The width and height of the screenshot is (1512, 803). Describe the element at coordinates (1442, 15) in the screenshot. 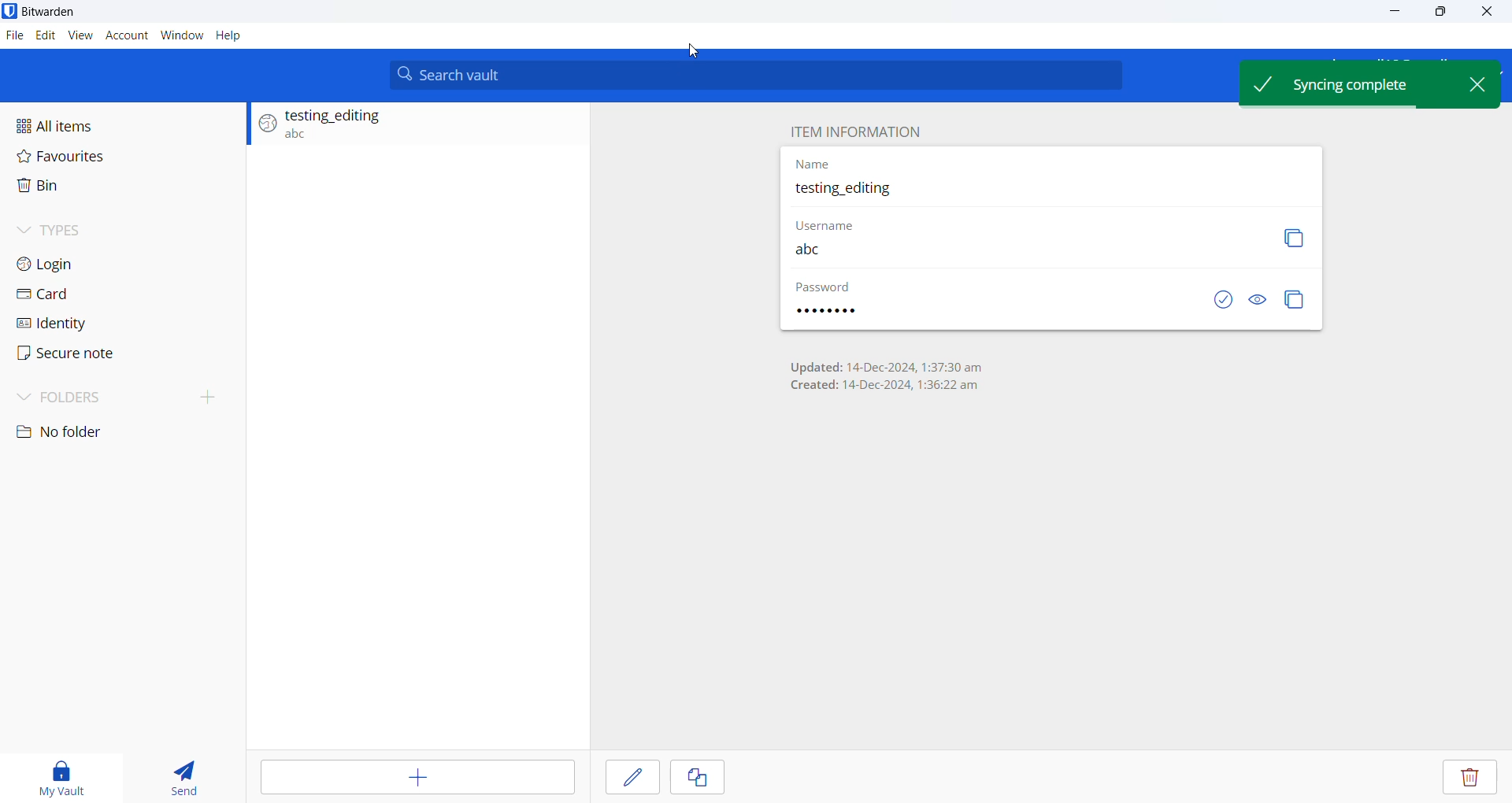

I see `maximise` at that location.